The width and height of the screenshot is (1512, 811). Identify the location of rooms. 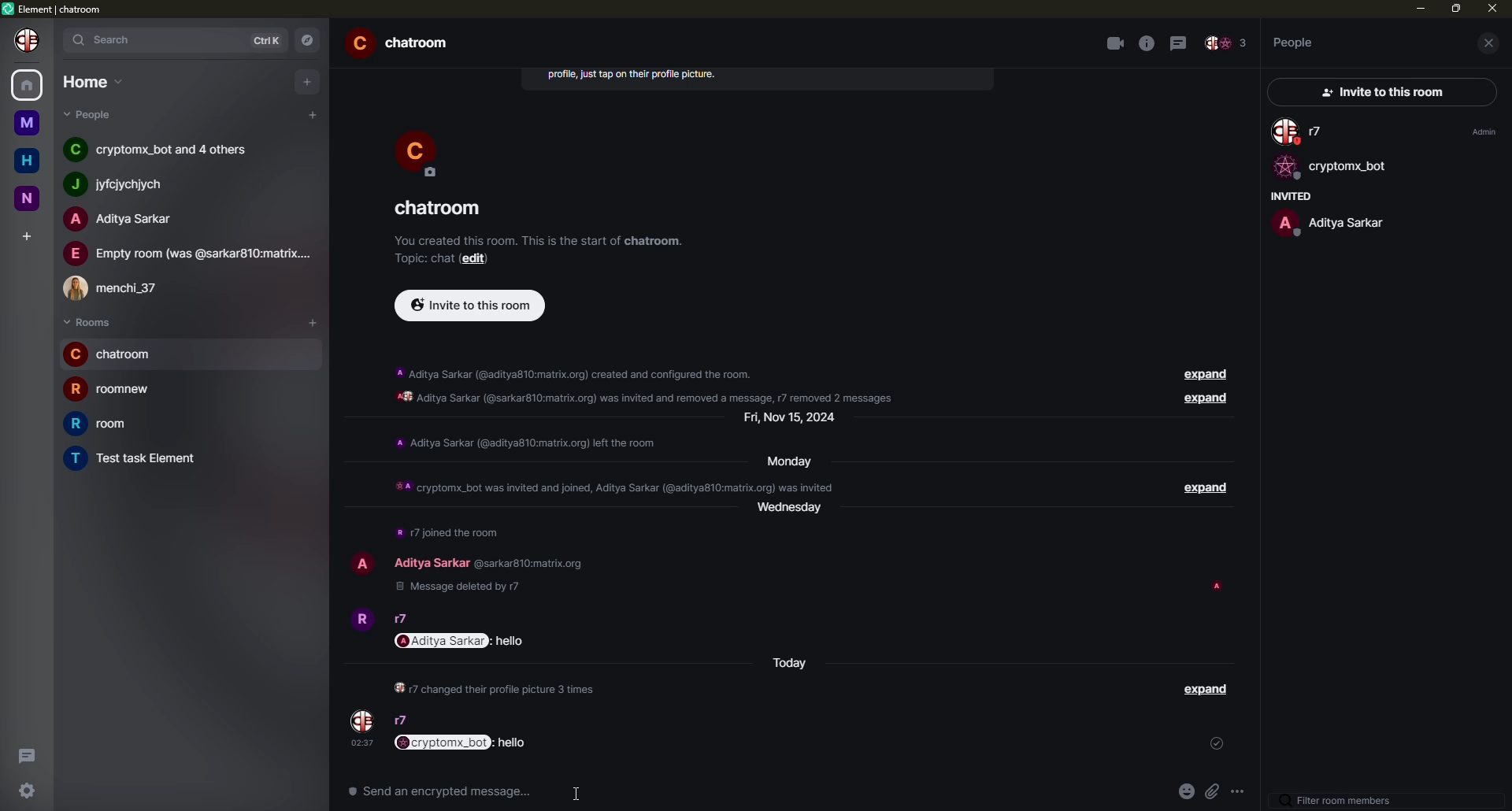
(88, 323).